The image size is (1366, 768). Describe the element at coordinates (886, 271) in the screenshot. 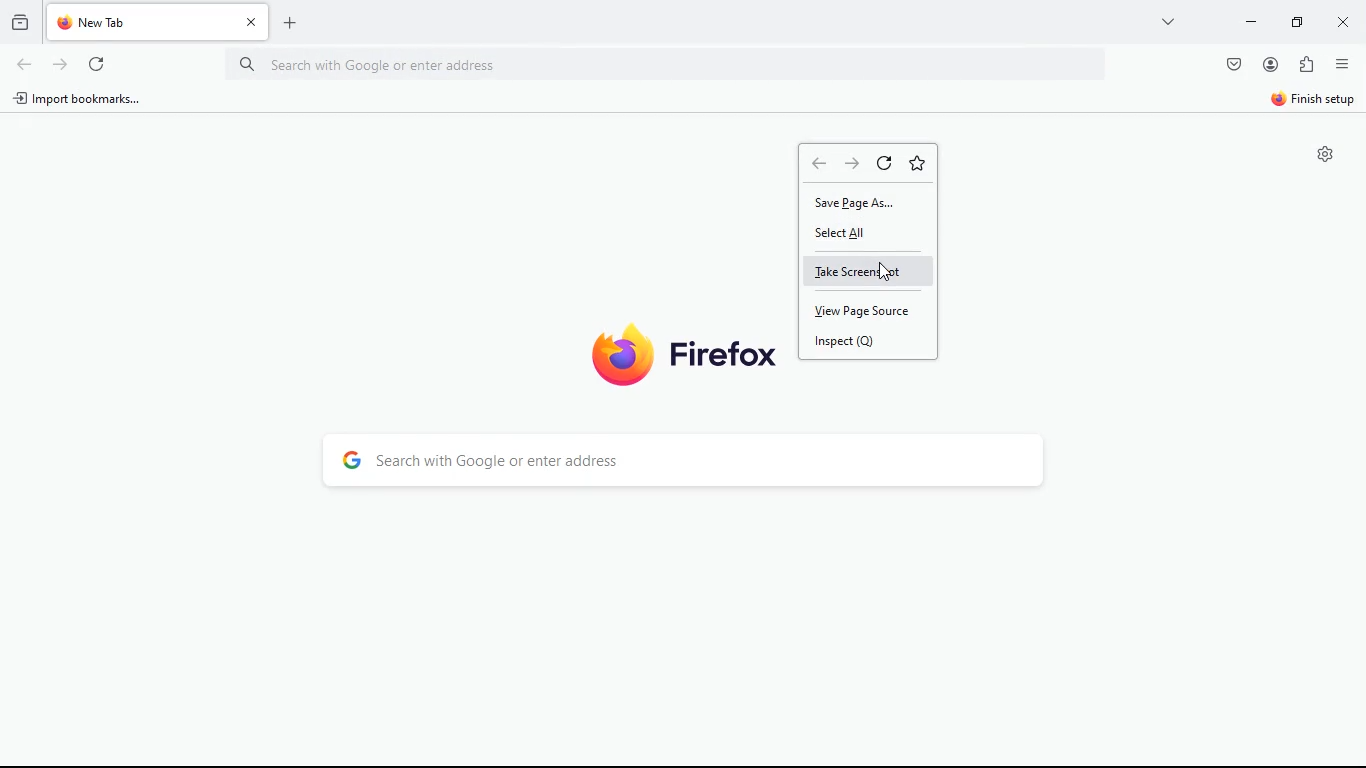

I see `Cursor` at that location.